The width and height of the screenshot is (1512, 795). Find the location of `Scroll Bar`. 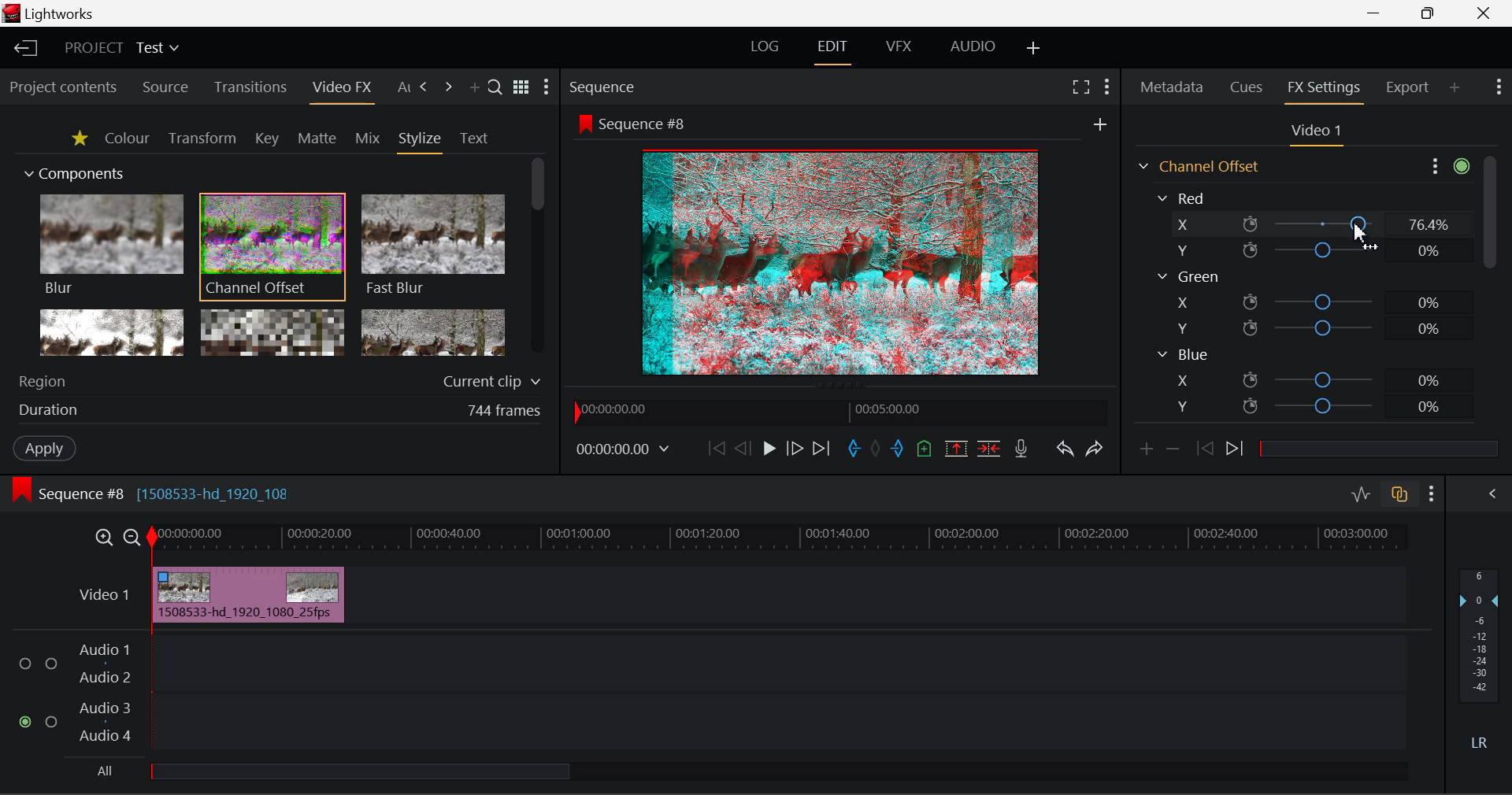

Scroll Bar is located at coordinates (535, 256).